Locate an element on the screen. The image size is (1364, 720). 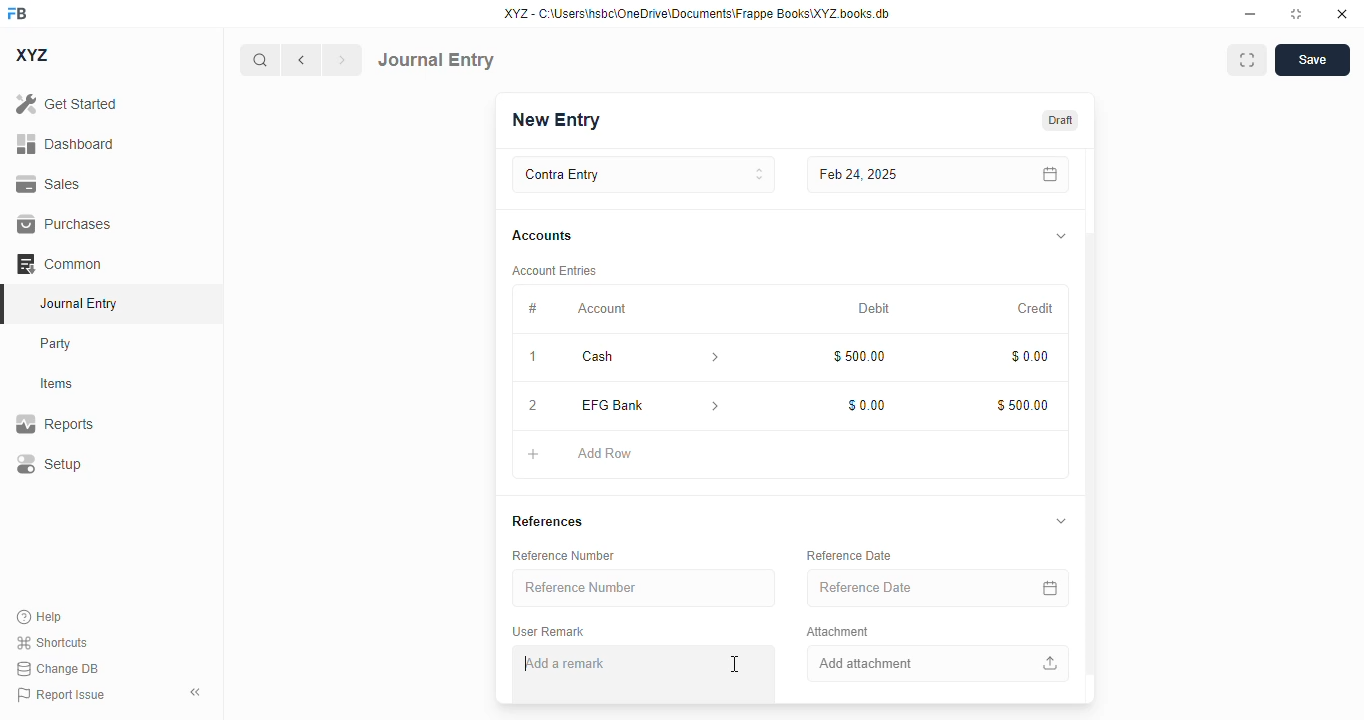
1 is located at coordinates (532, 356).